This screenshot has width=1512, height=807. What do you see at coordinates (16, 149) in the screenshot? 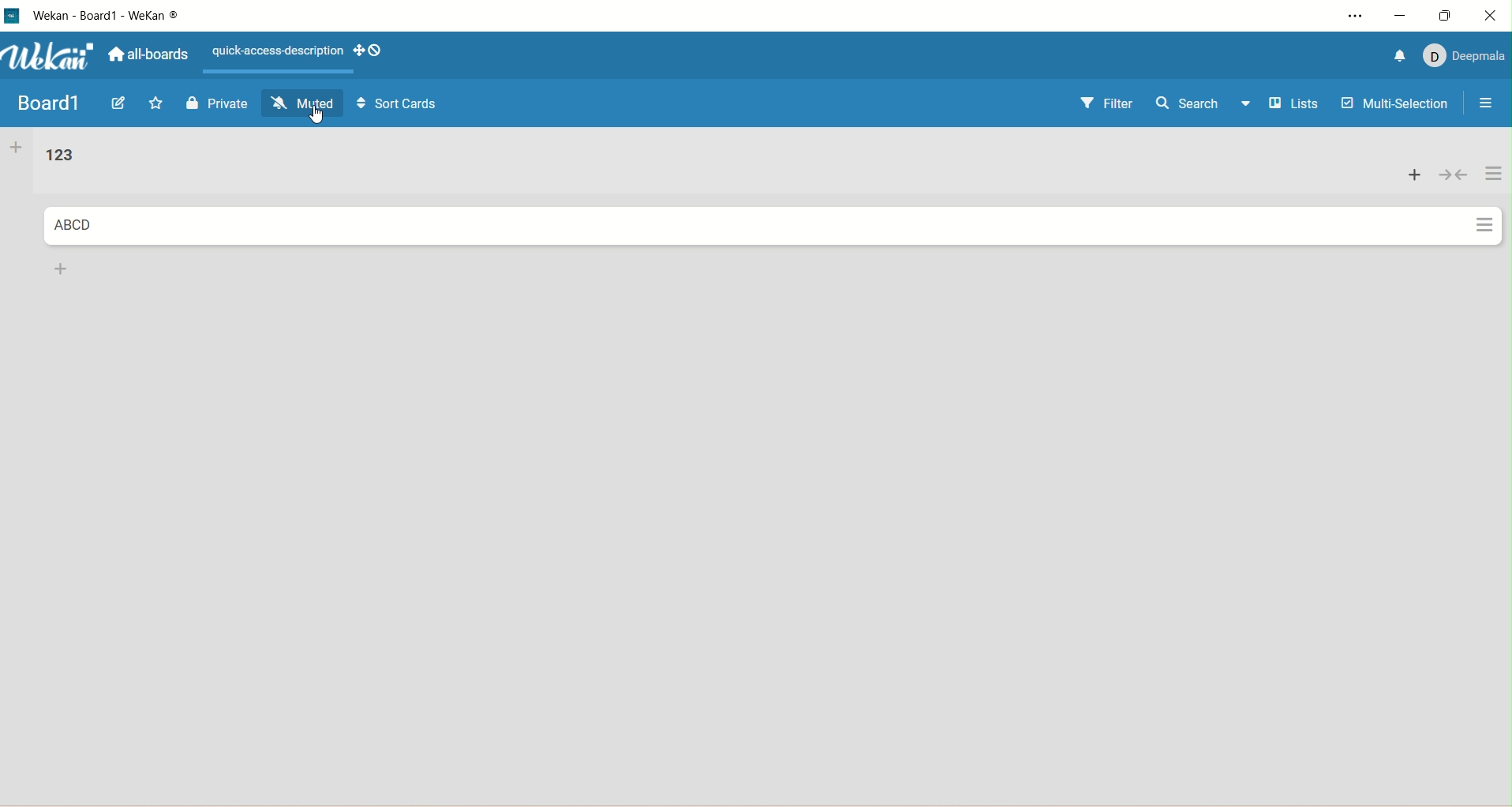
I see `add list` at bounding box center [16, 149].